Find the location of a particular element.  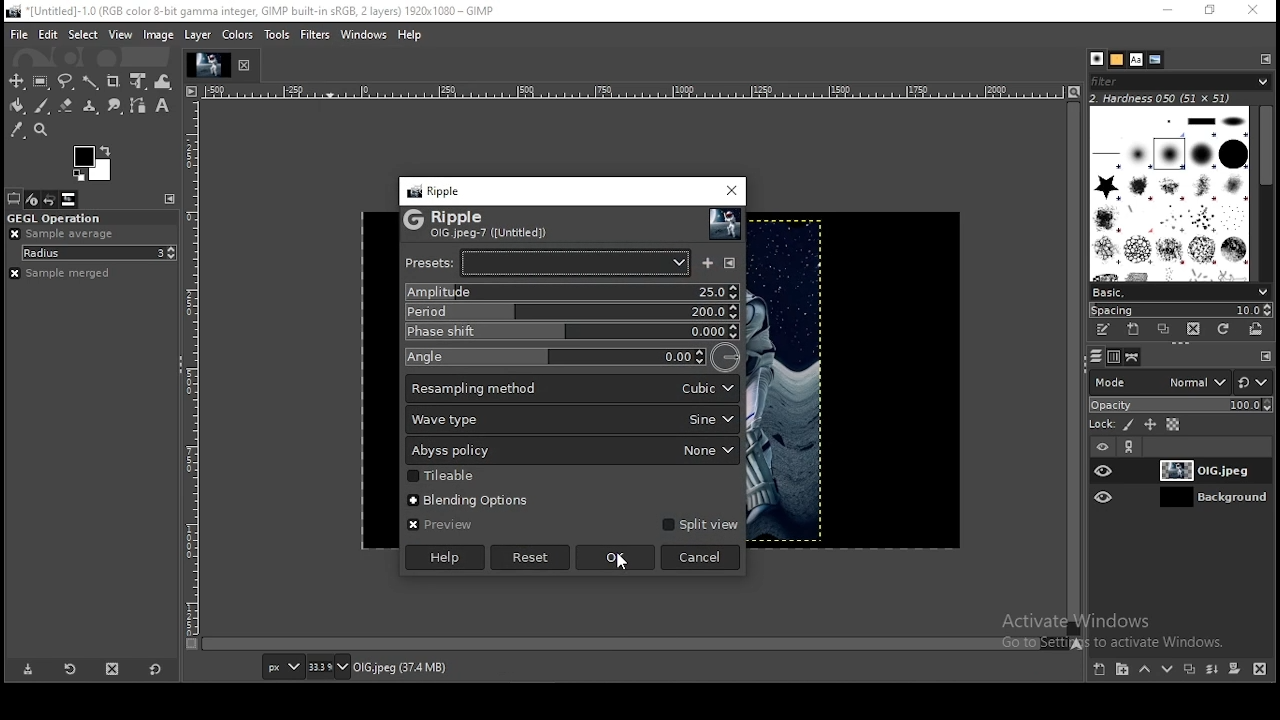

sample average is located at coordinates (64, 234).